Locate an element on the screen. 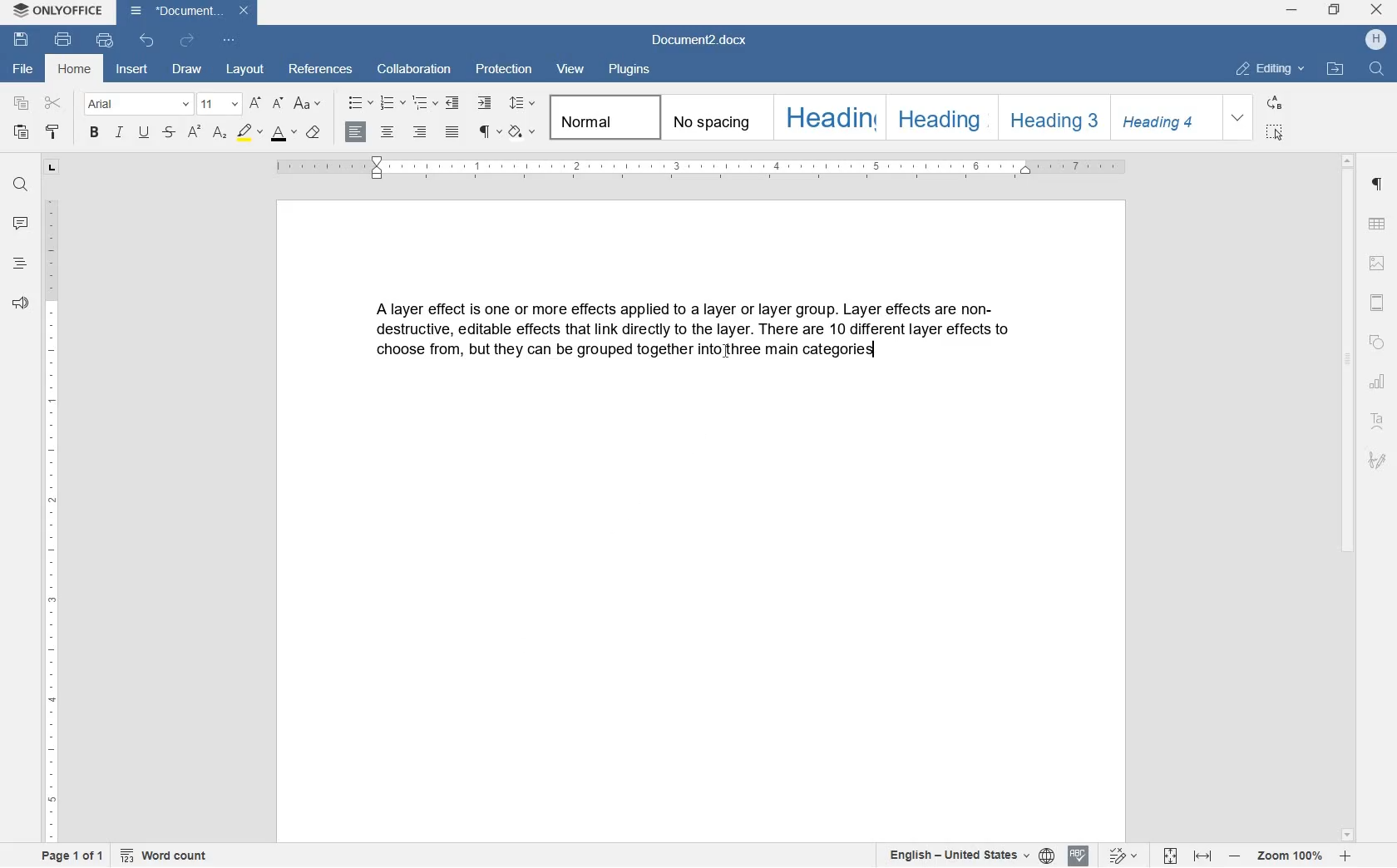  paste is located at coordinates (21, 134).